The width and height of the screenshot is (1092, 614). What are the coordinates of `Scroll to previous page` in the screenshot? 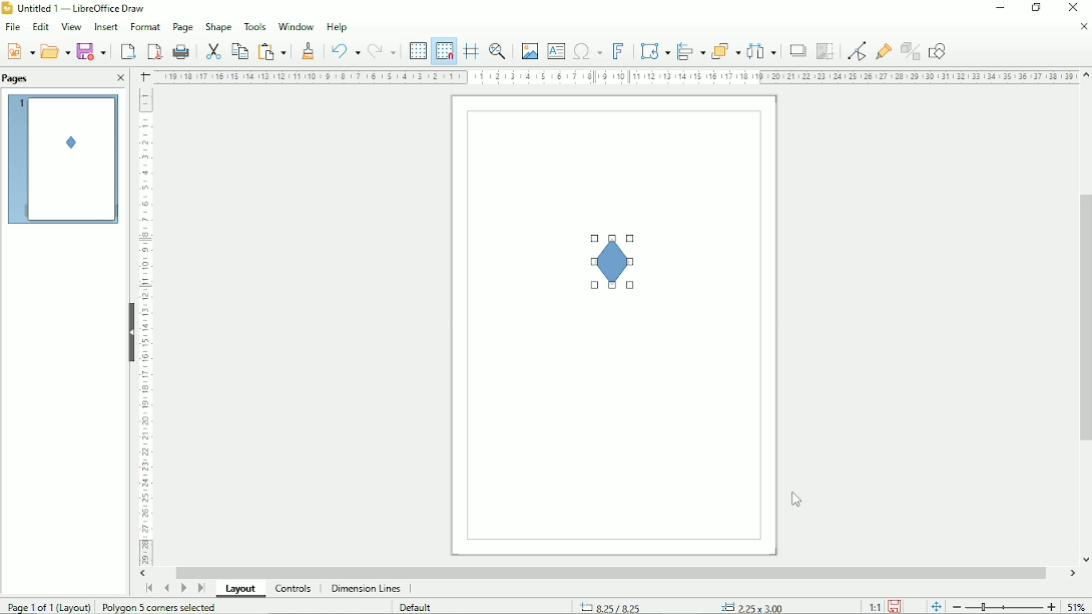 It's located at (166, 588).